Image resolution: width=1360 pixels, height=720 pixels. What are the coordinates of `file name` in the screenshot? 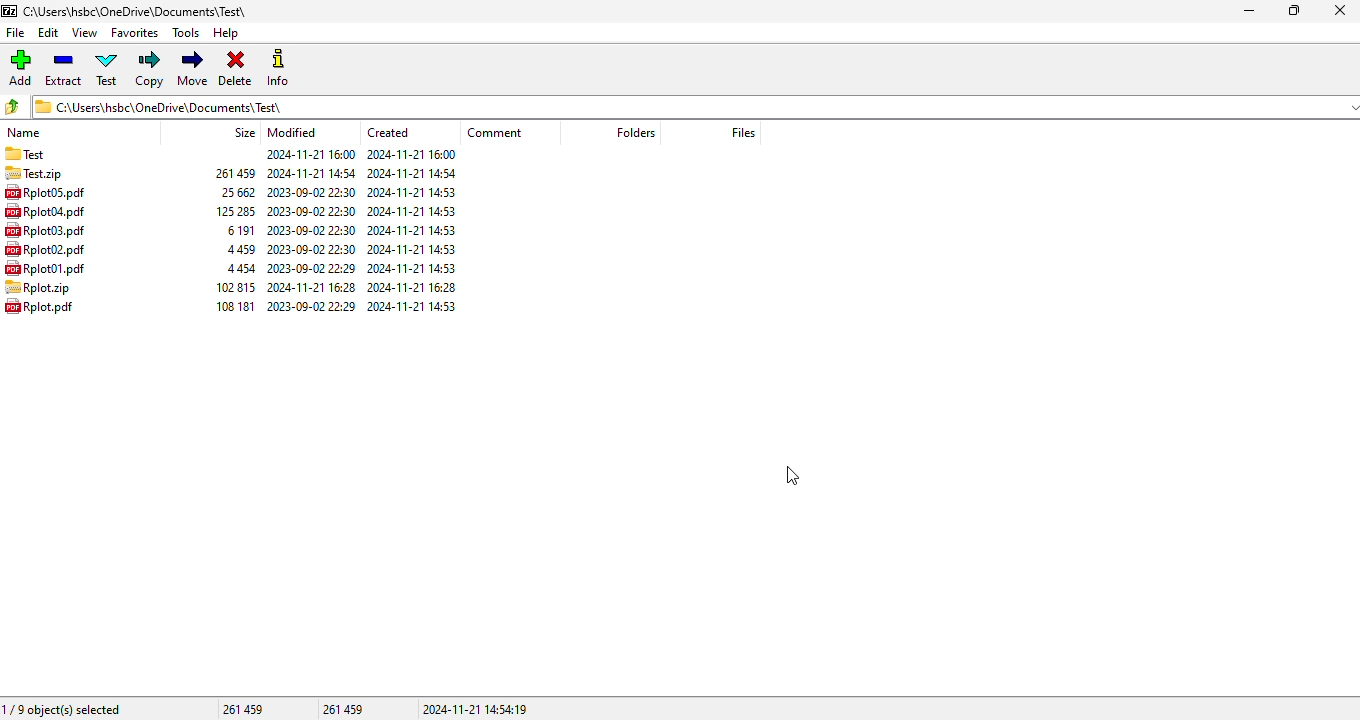 It's located at (44, 267).